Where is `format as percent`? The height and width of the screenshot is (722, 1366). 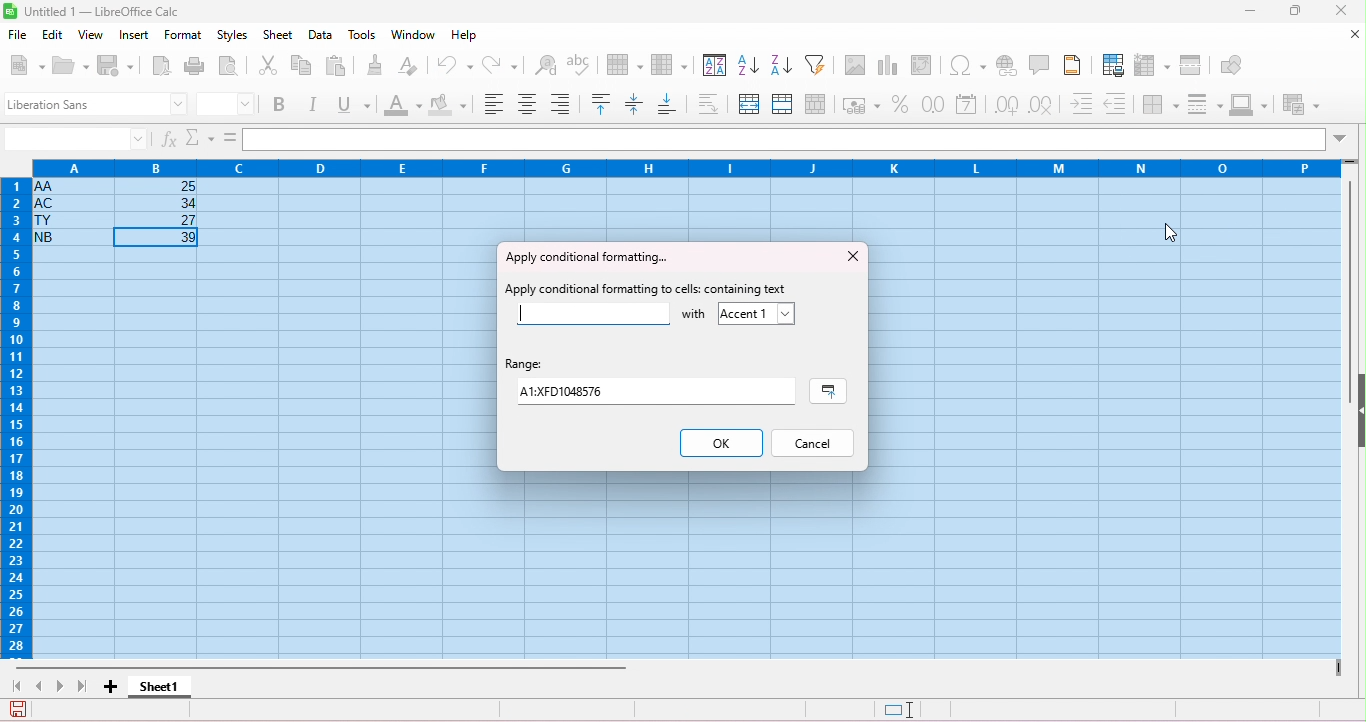 format as percent is located at coordinates (900, 103).